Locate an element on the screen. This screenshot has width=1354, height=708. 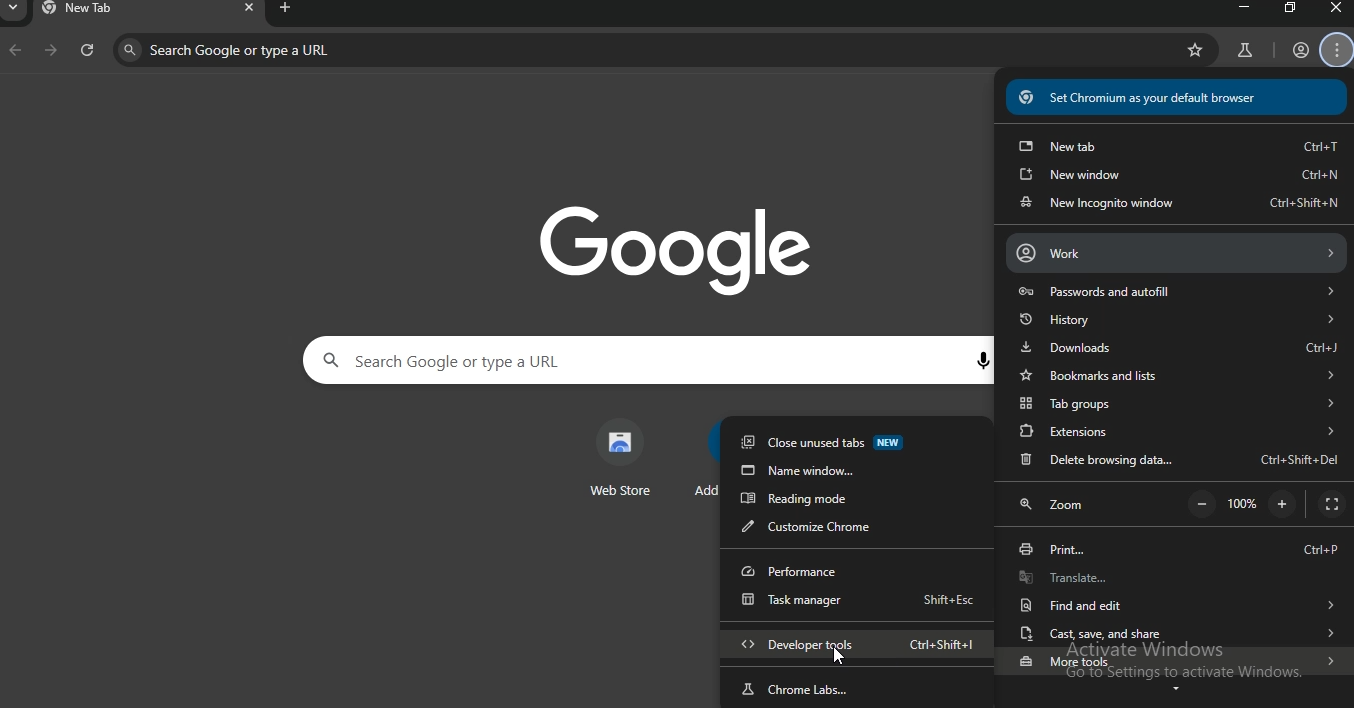
close is located at coordinates (247, 10).